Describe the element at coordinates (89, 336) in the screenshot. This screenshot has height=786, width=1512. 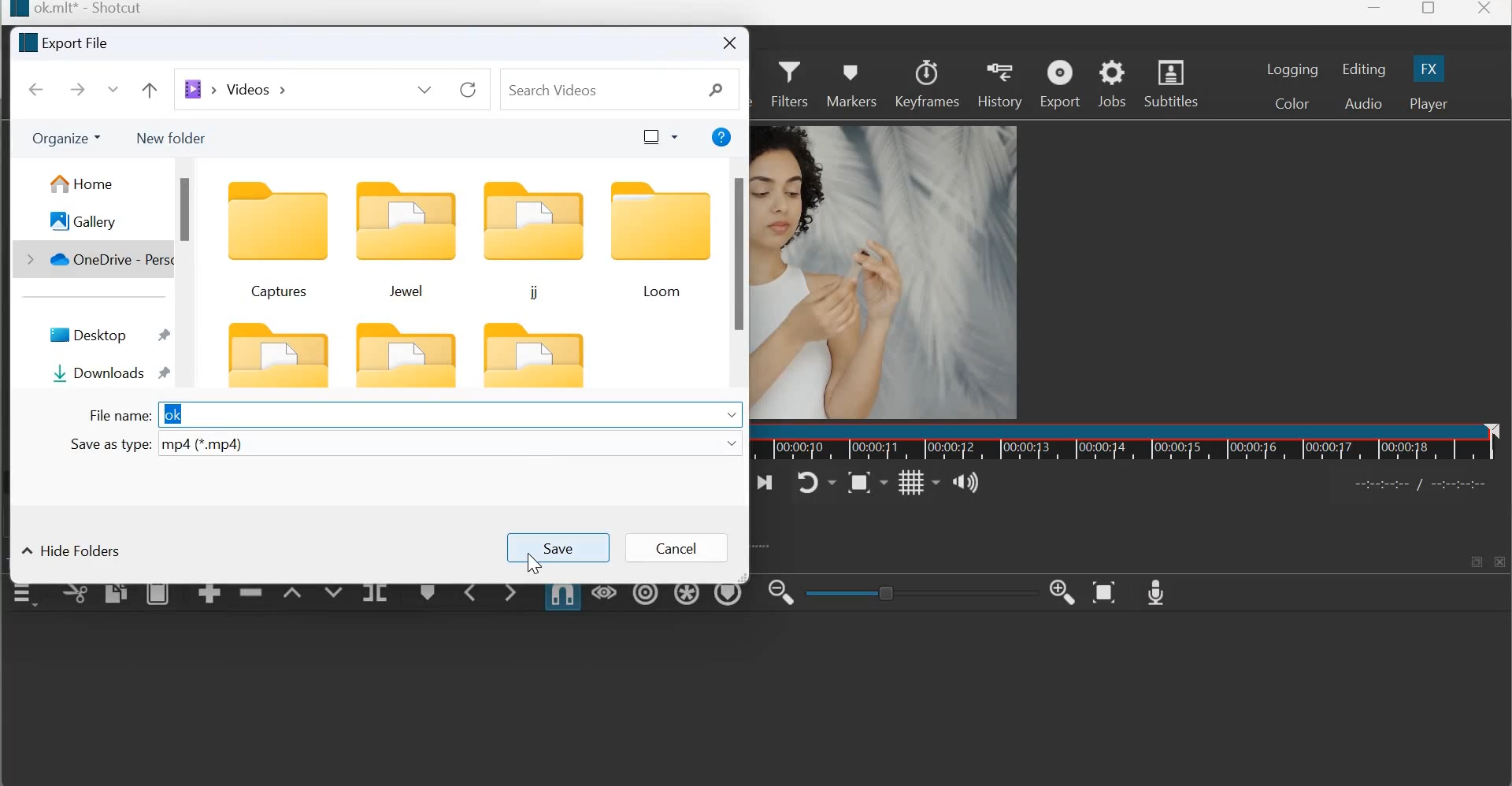
I see `Desktop` at that location.